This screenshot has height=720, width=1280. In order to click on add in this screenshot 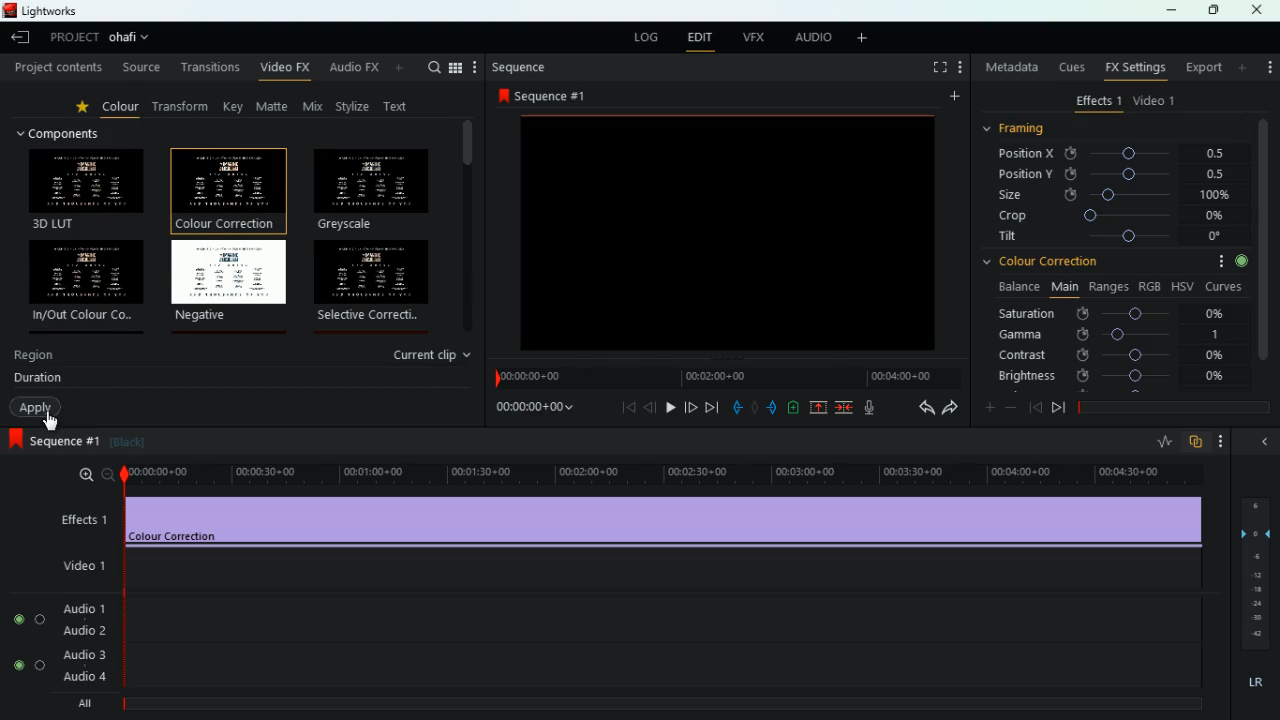, I will do `click(1238, 67)`.